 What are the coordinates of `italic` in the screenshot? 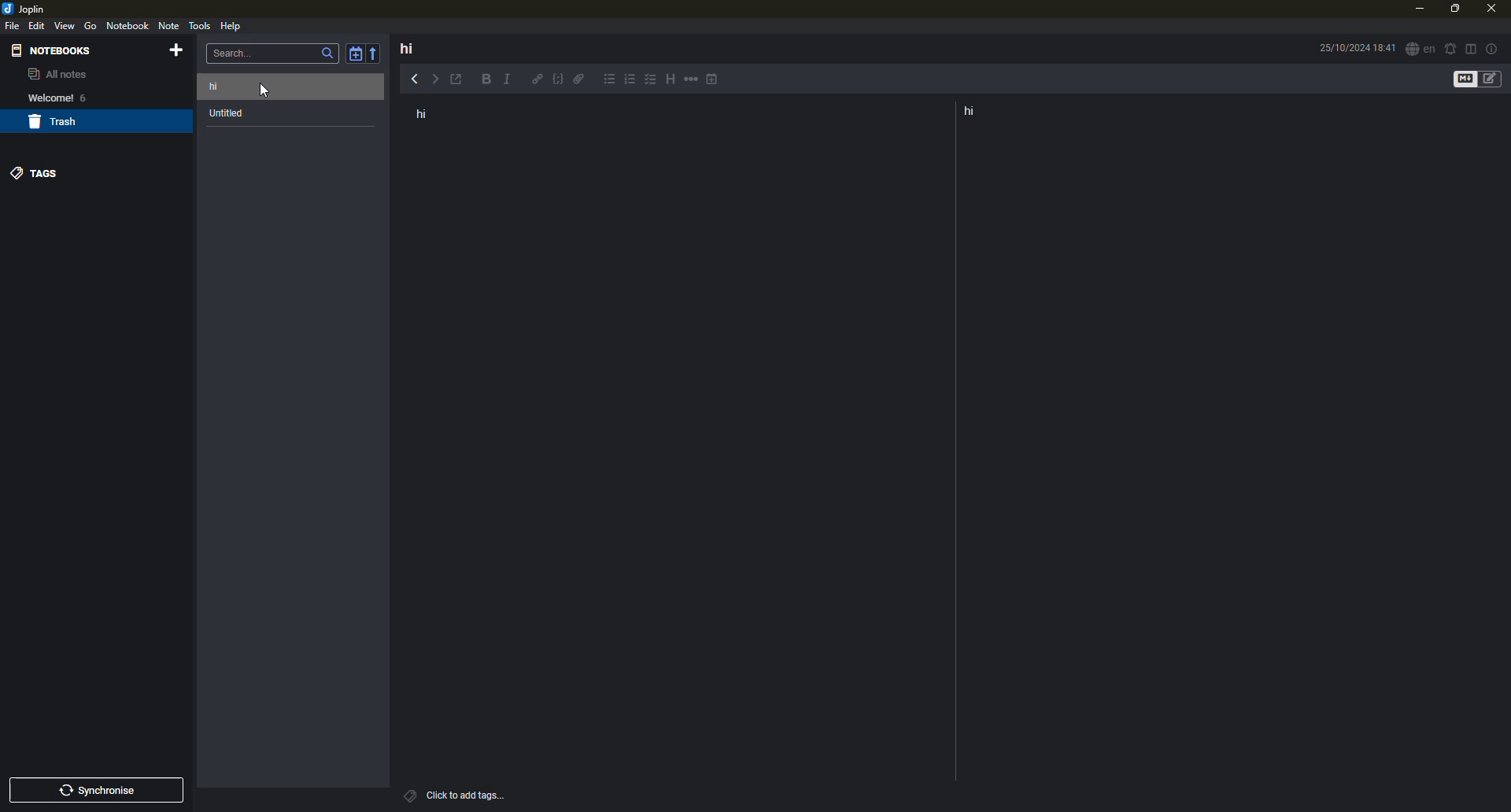 It's located at (511, 80).